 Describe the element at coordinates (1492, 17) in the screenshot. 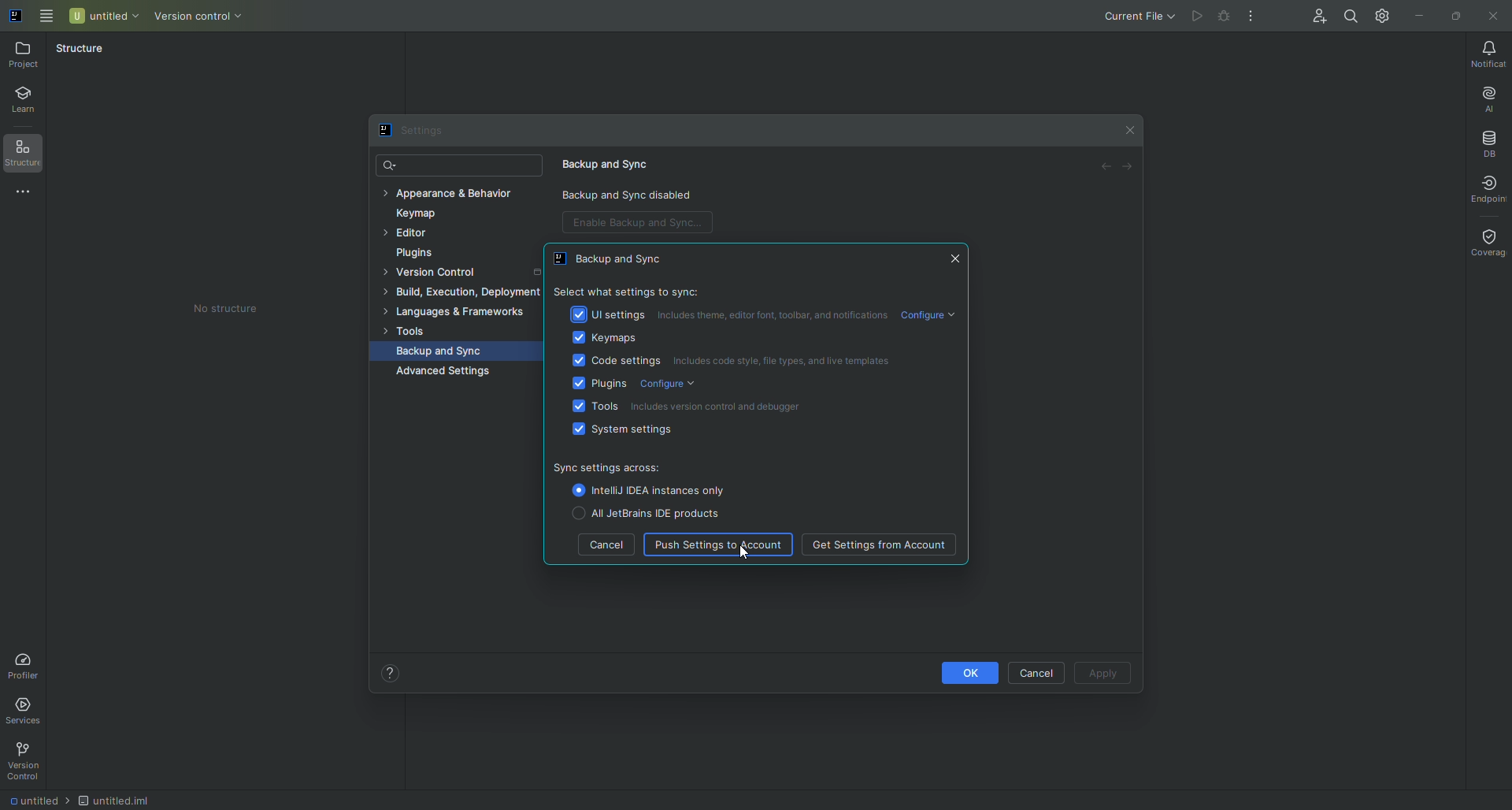

I see `Close` at that location.